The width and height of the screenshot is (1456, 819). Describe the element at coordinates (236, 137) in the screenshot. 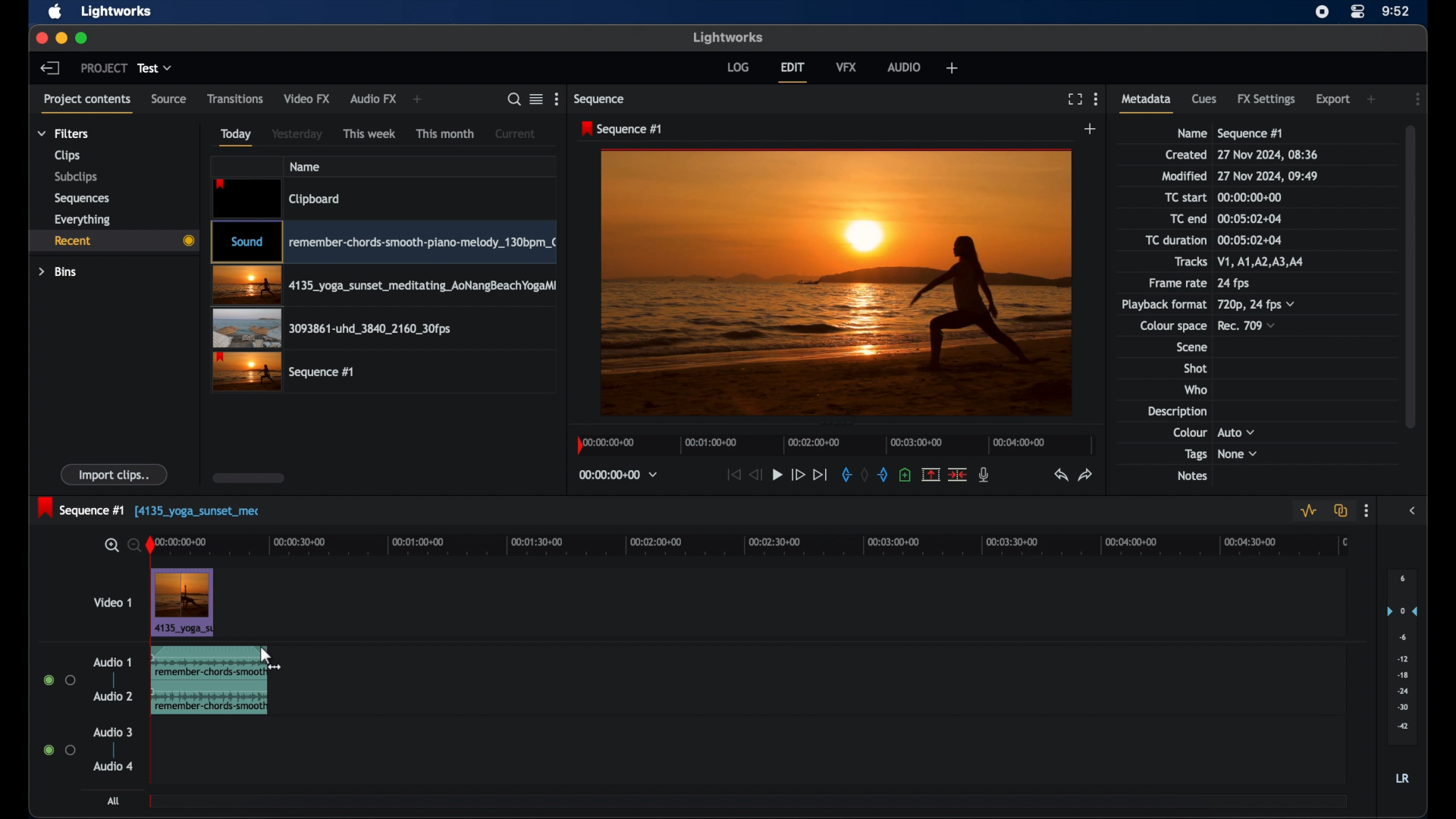

I see `today` at that location.